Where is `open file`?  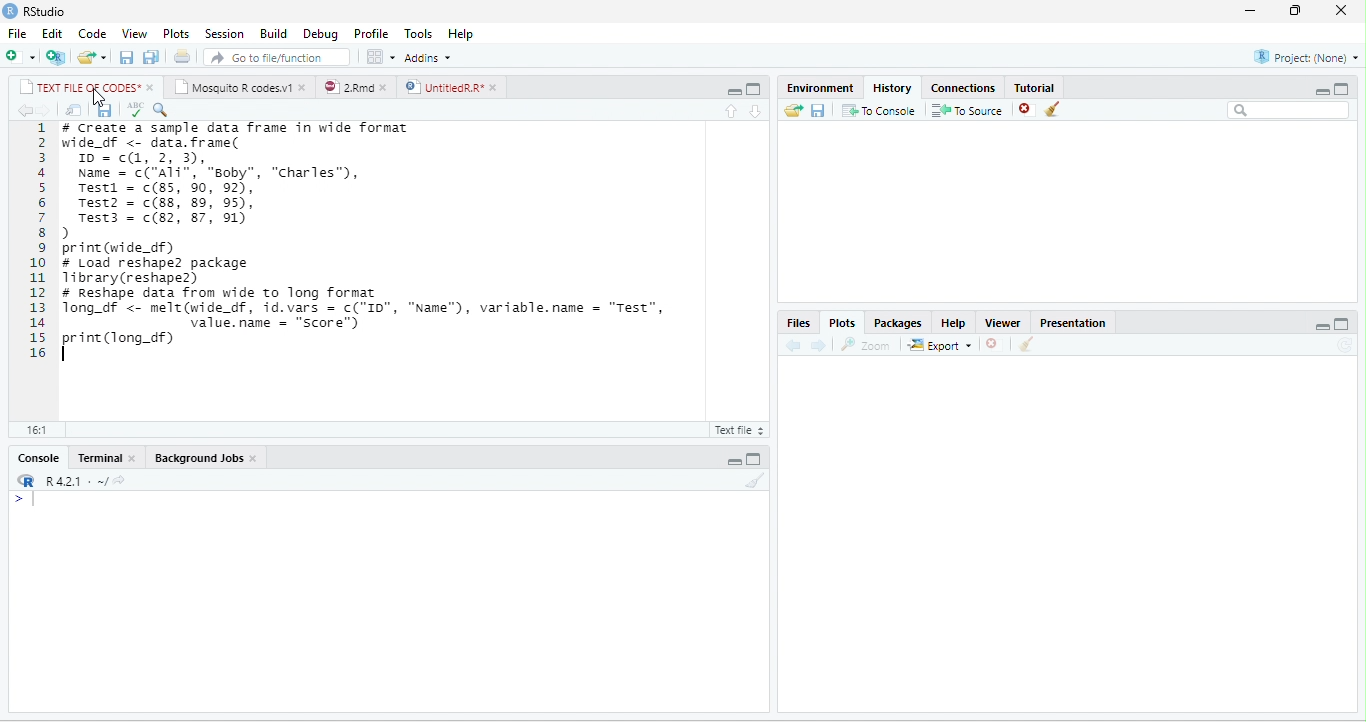
open file is located at coordinates (92, 57).